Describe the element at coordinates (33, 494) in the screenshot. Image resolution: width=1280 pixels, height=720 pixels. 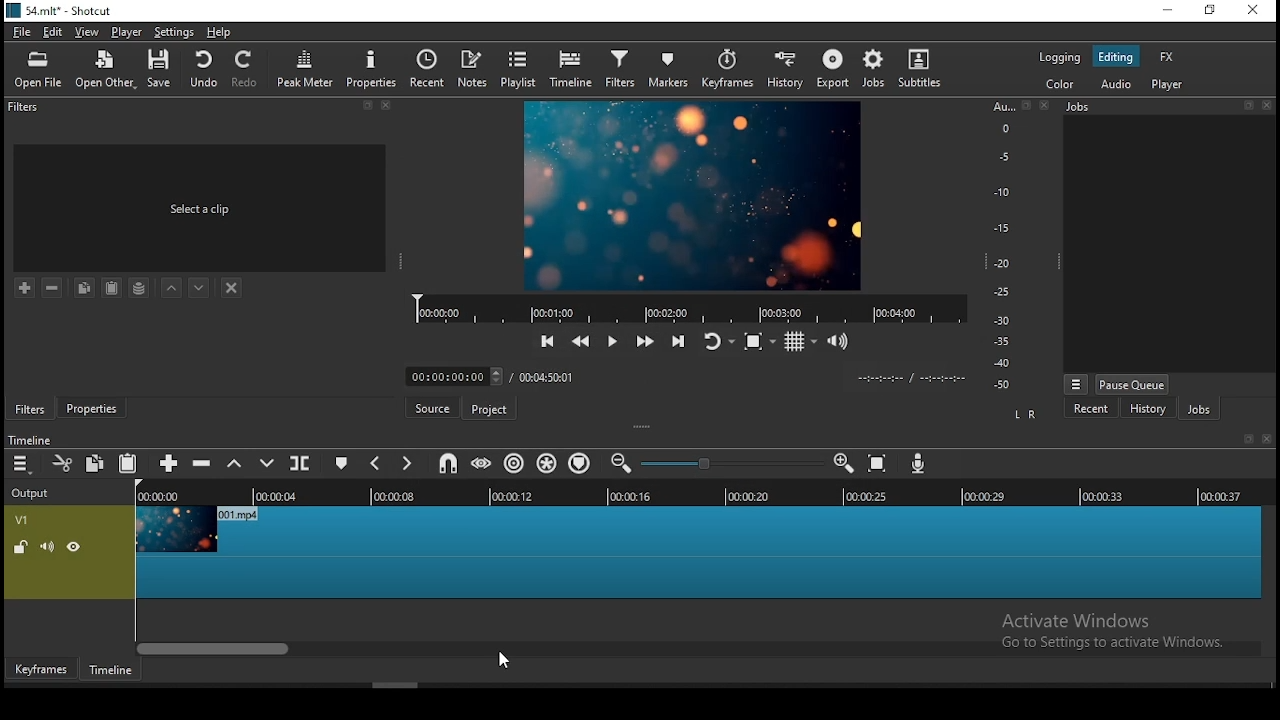
I see `output` at that location.